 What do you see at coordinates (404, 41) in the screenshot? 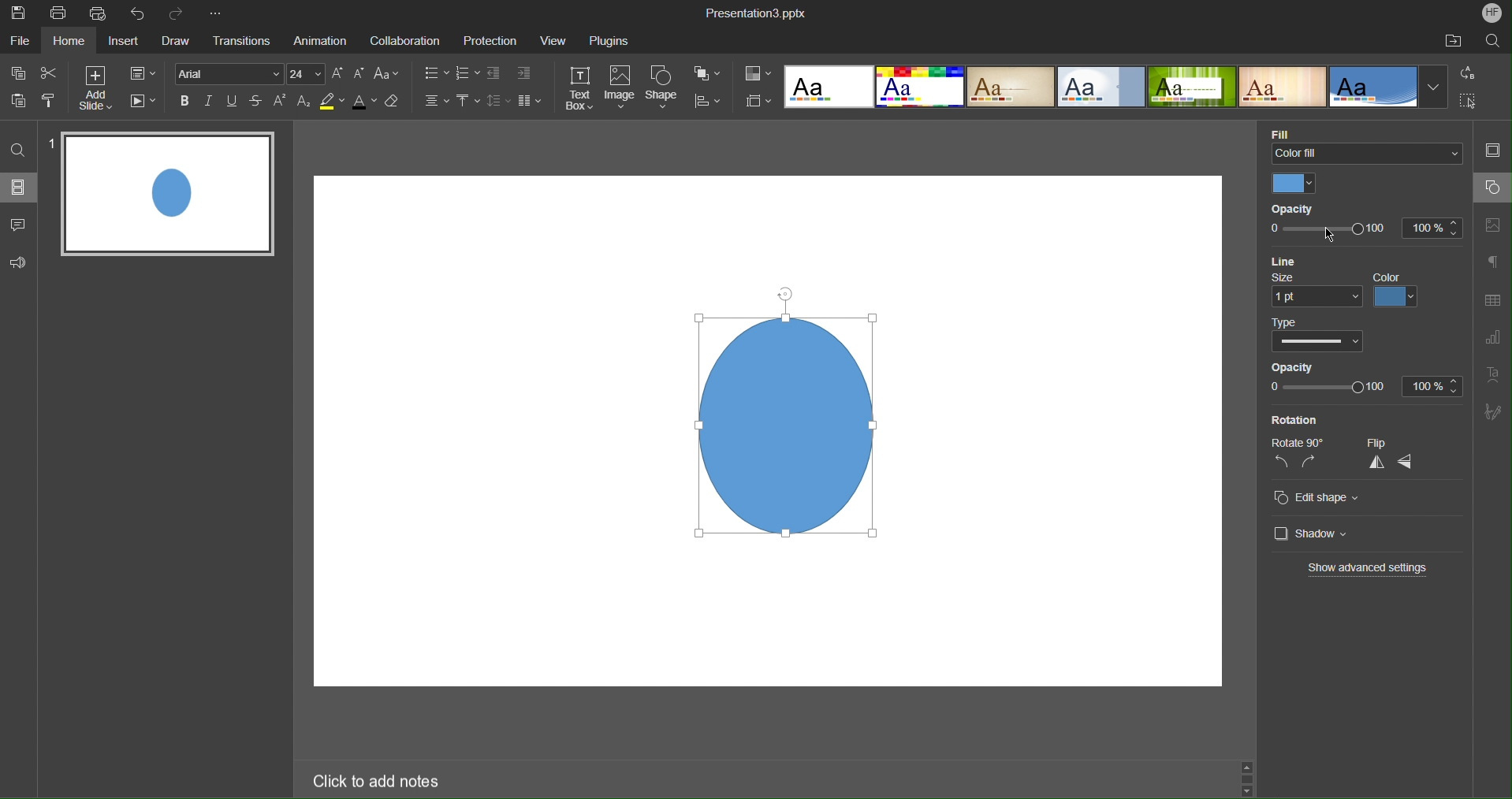
I see `Collaboration` at bounding box center [404, 41].